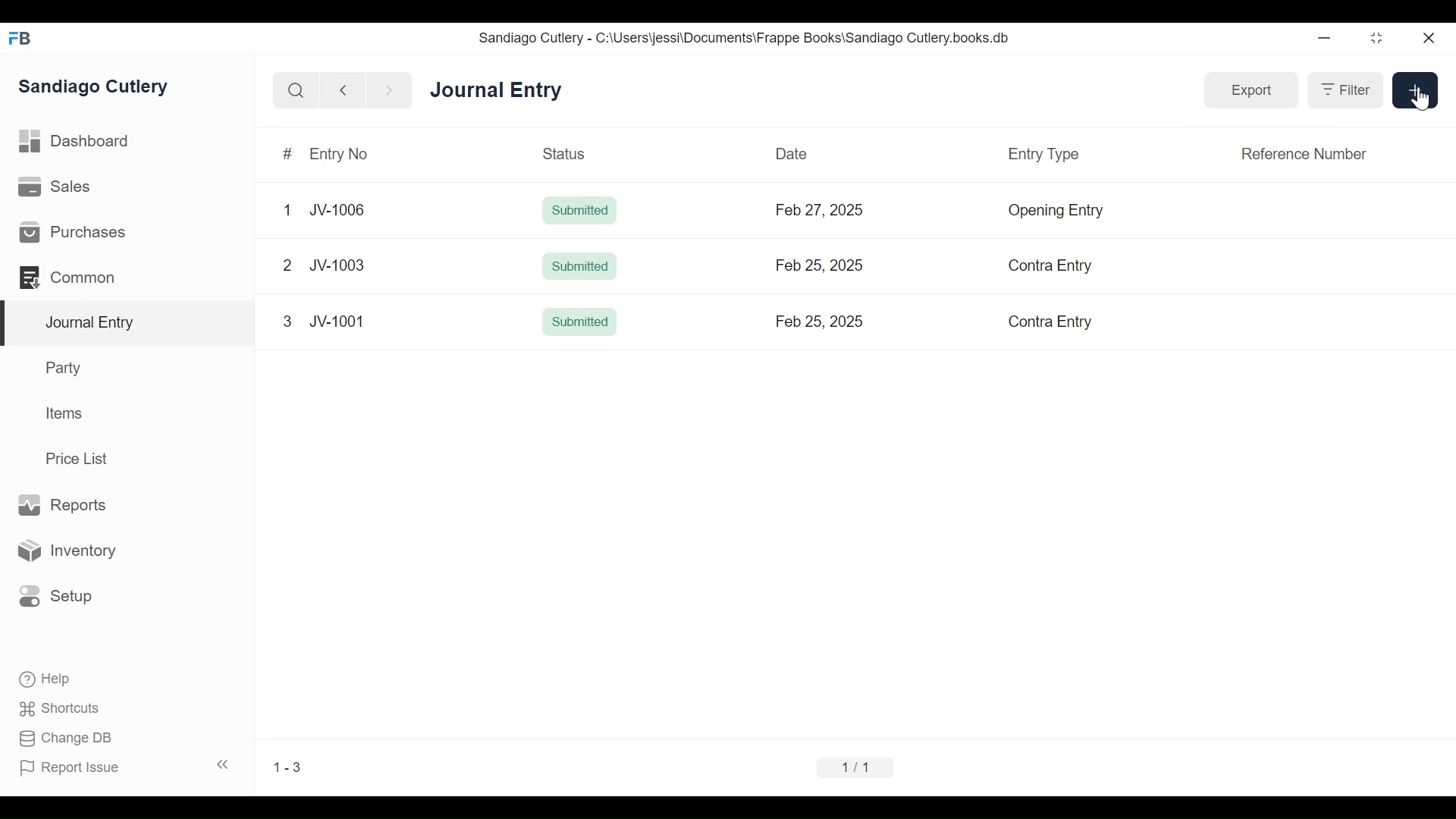  Describe the element at coordinates (791, 153) in the screenshot. I see `Date` at that location.